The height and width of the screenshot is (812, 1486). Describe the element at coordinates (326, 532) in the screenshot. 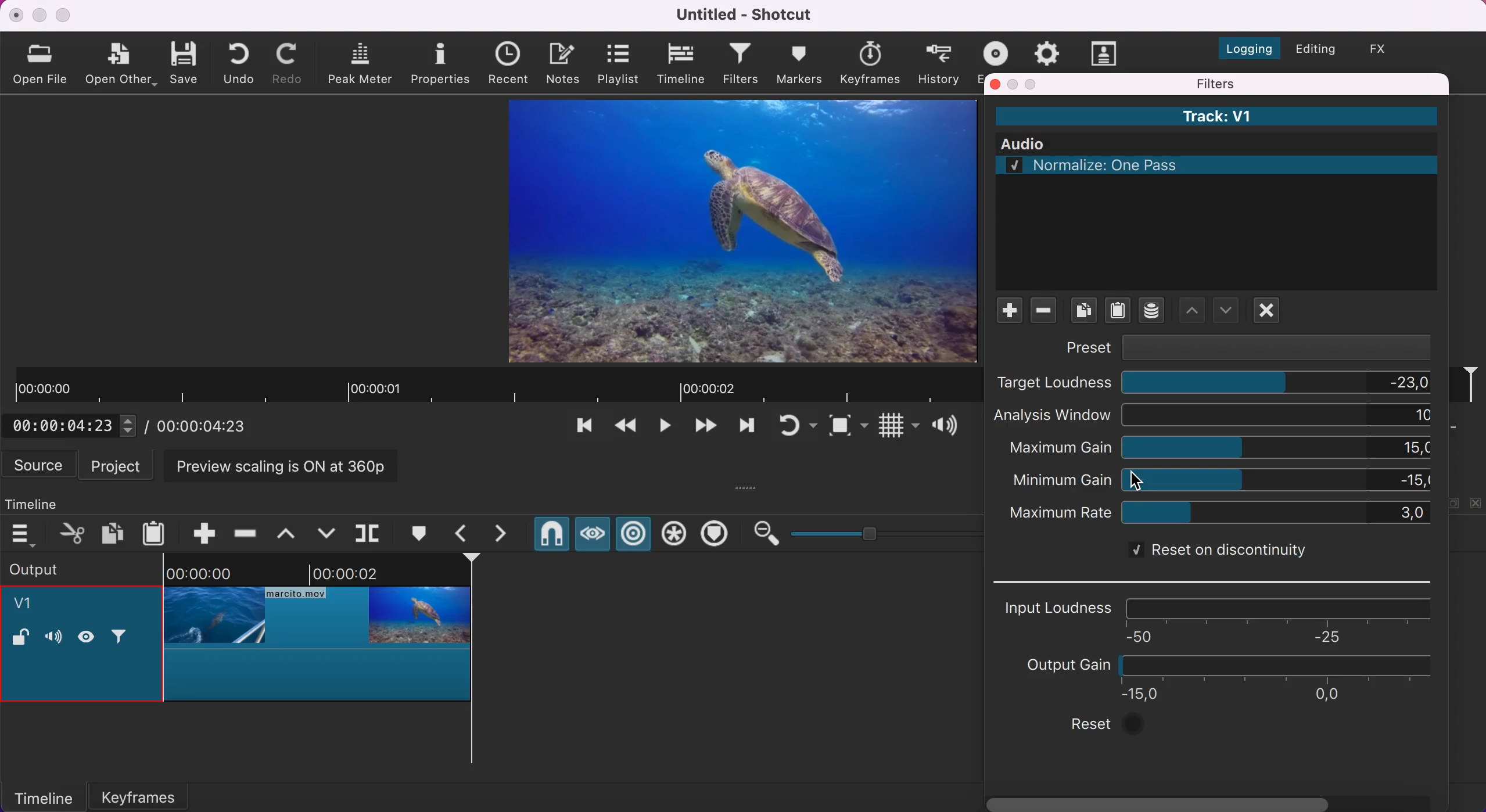

I see `overwrite` at that location.